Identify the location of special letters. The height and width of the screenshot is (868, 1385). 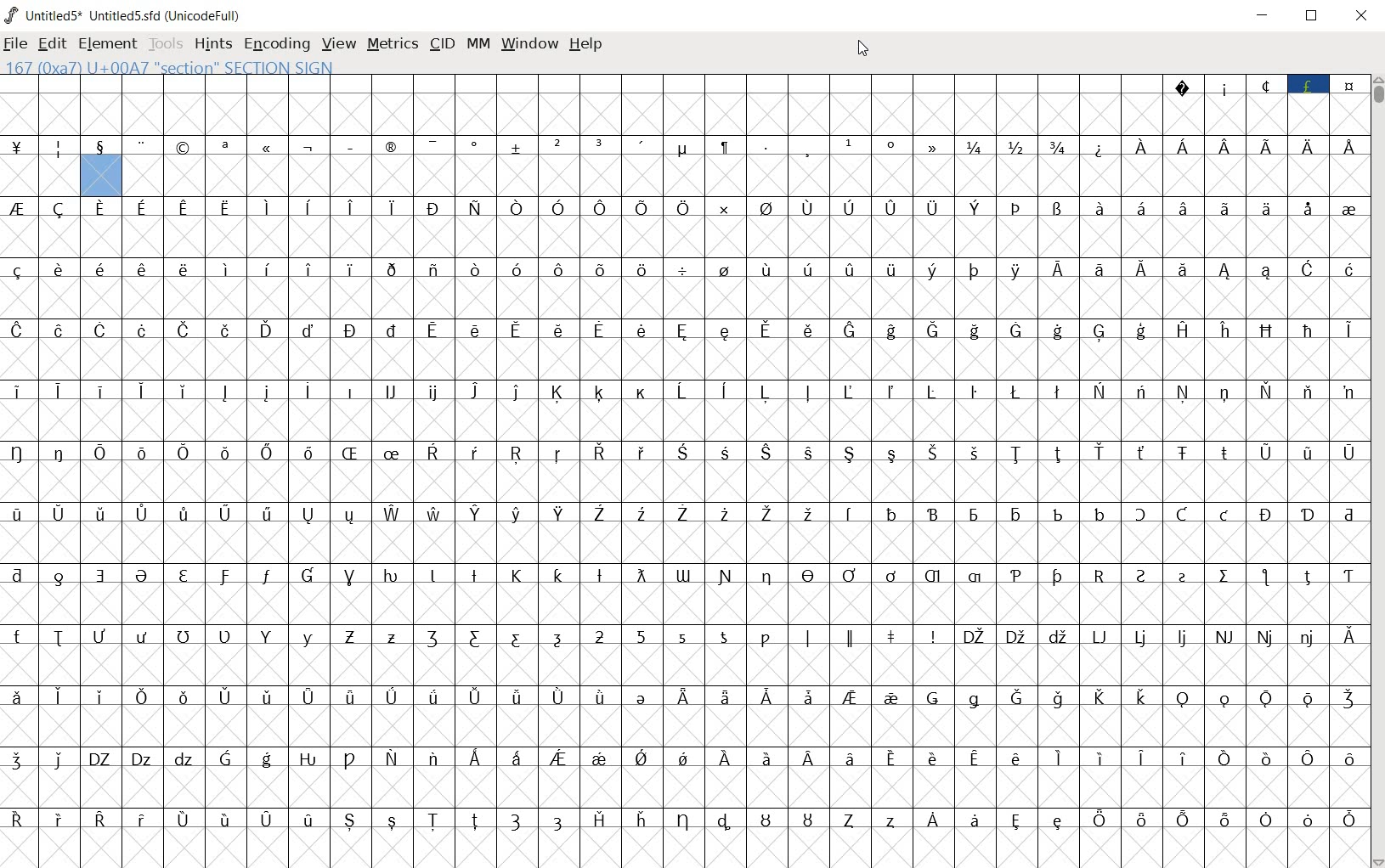
(687, 696).